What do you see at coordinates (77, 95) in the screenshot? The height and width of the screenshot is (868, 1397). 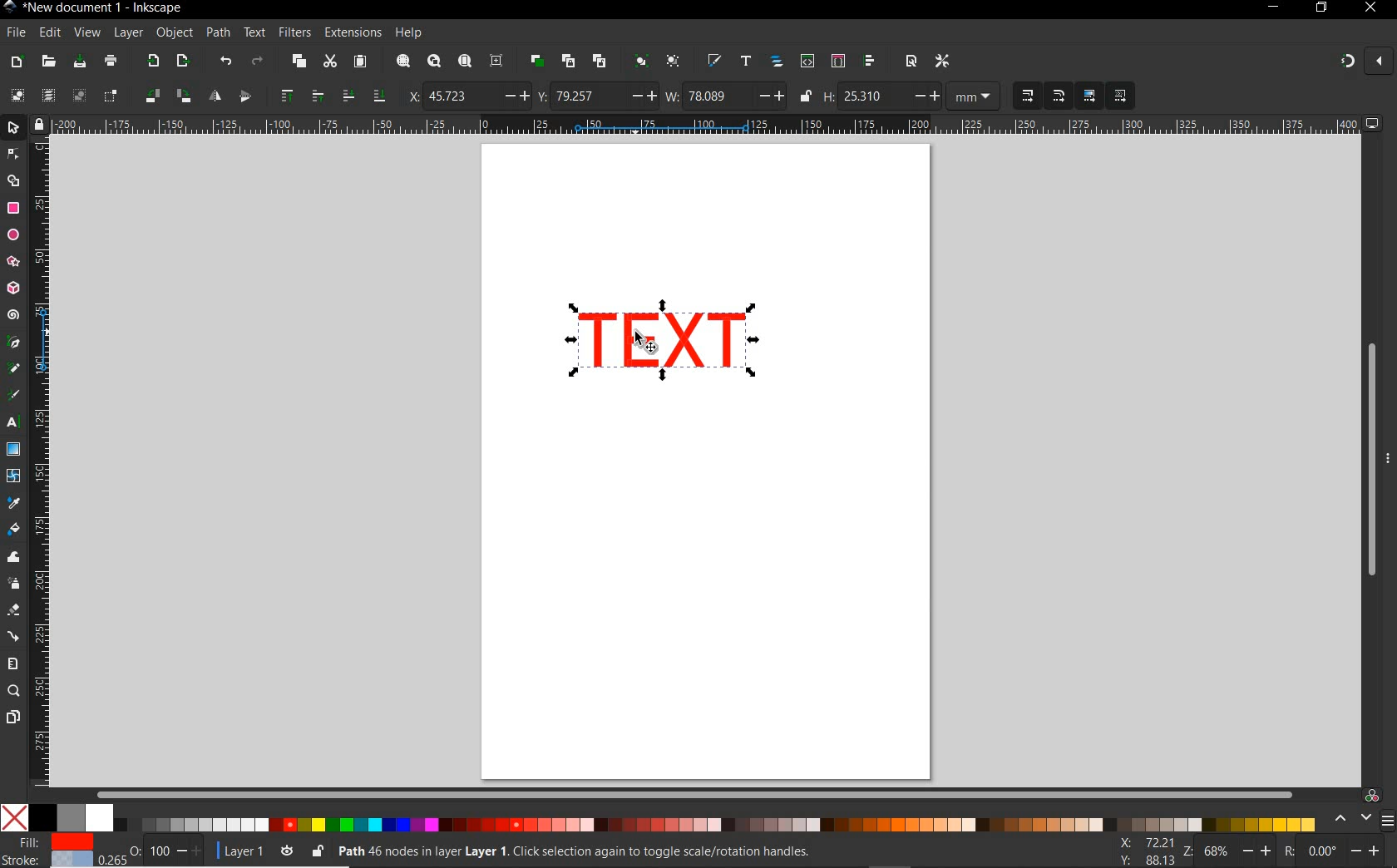 I see `DESELECT` at bounding box center [77, 95].